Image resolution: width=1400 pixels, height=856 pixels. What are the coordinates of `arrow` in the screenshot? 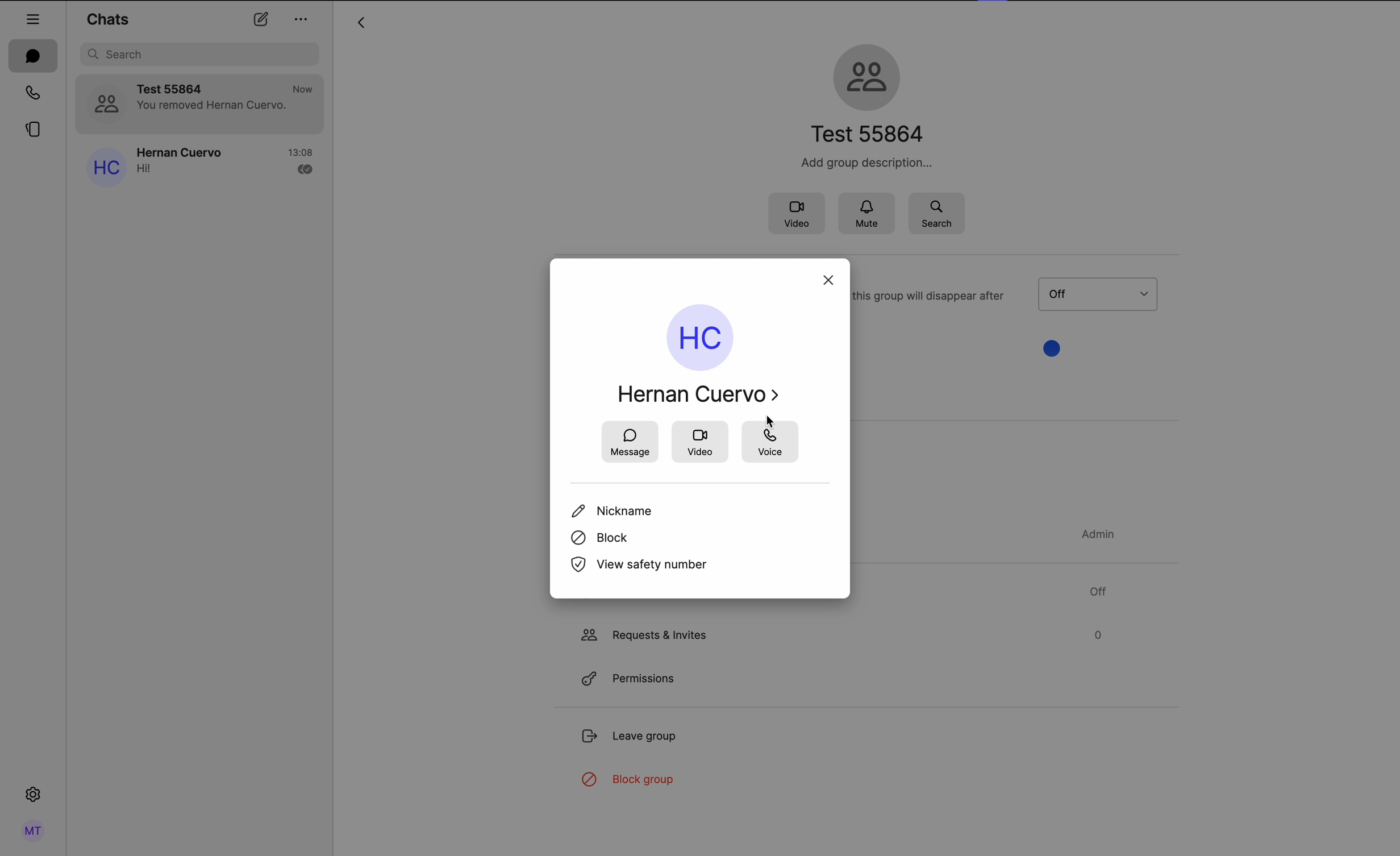 It's located at (360, 24).